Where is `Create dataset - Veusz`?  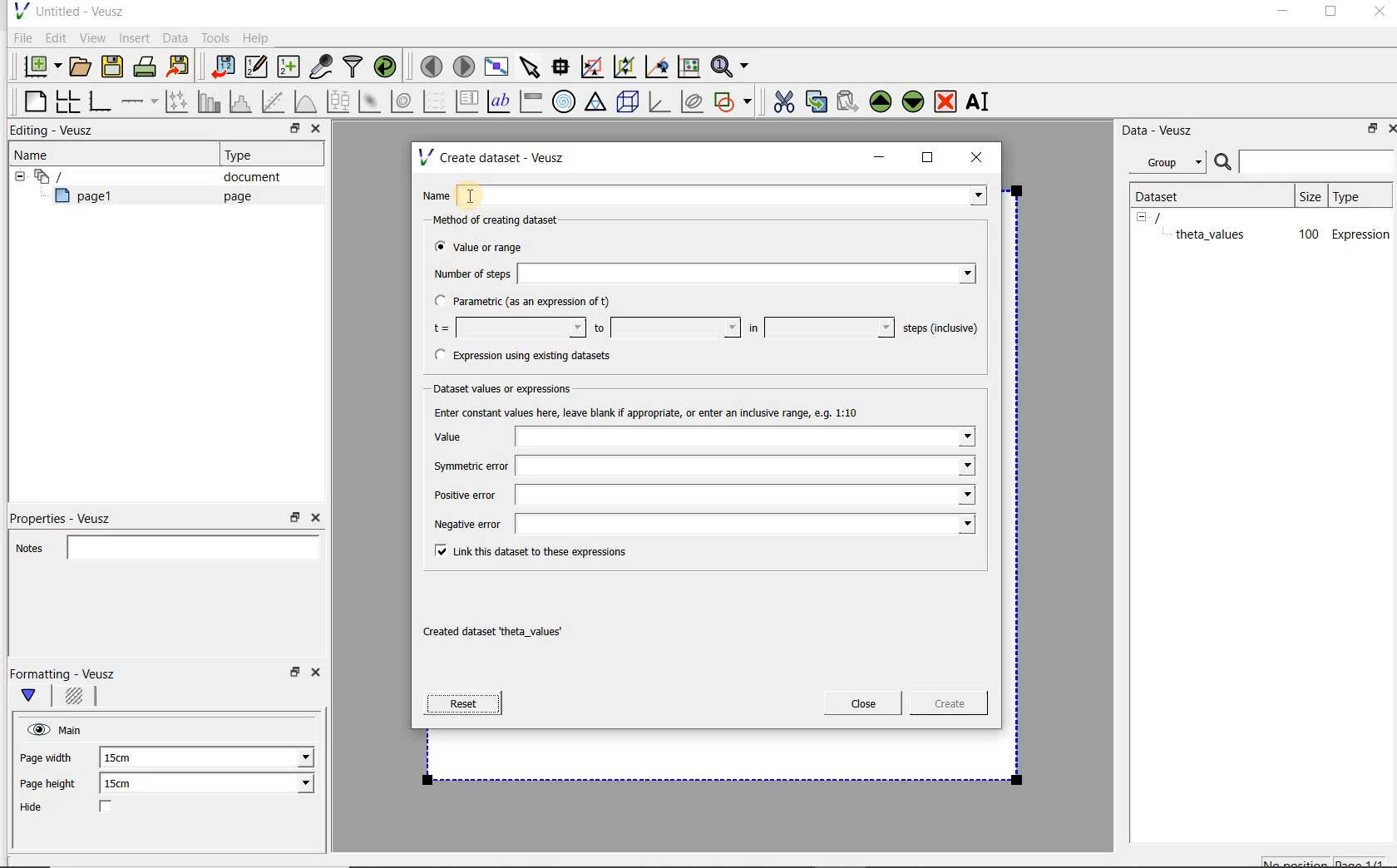
Create dataset - Veusz is located at coordinates (494, 157).